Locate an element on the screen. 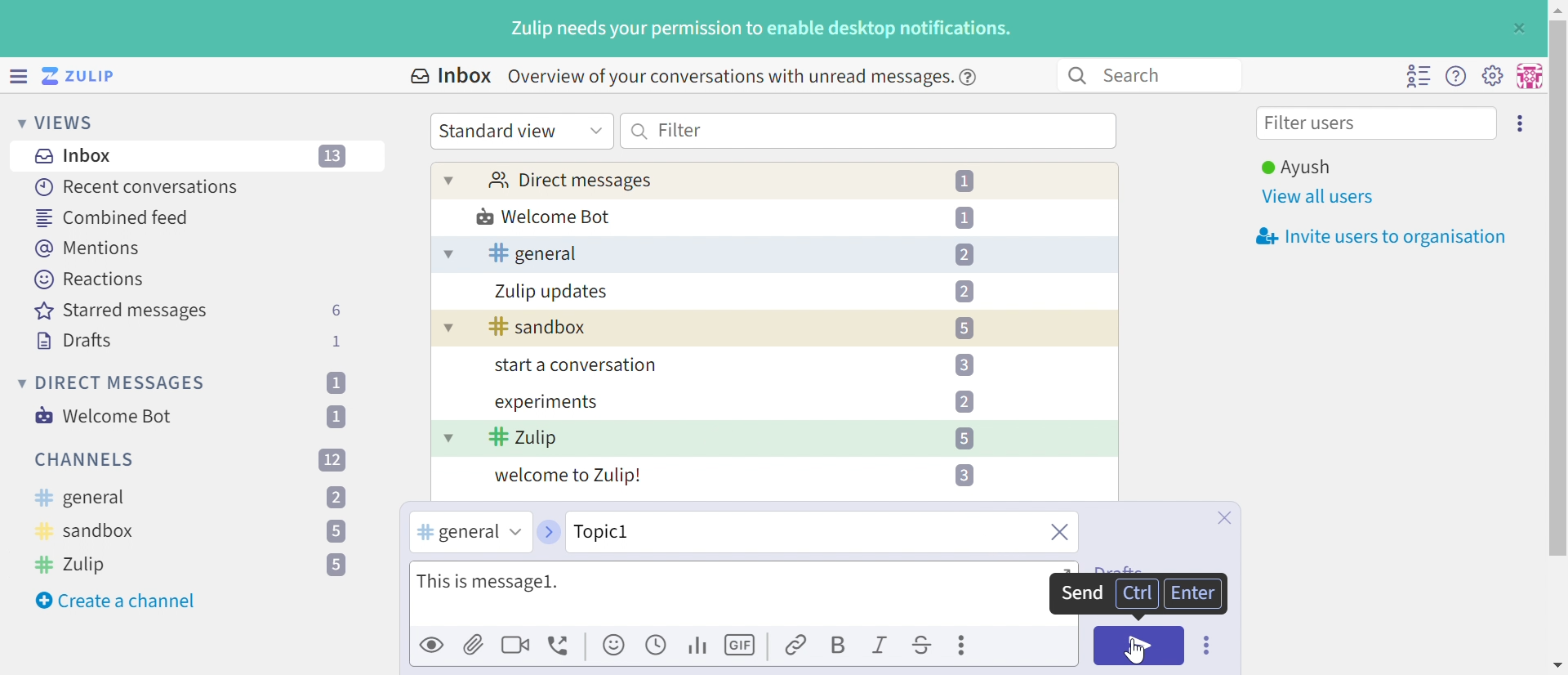  move up is located at coordinates (1557, 8).